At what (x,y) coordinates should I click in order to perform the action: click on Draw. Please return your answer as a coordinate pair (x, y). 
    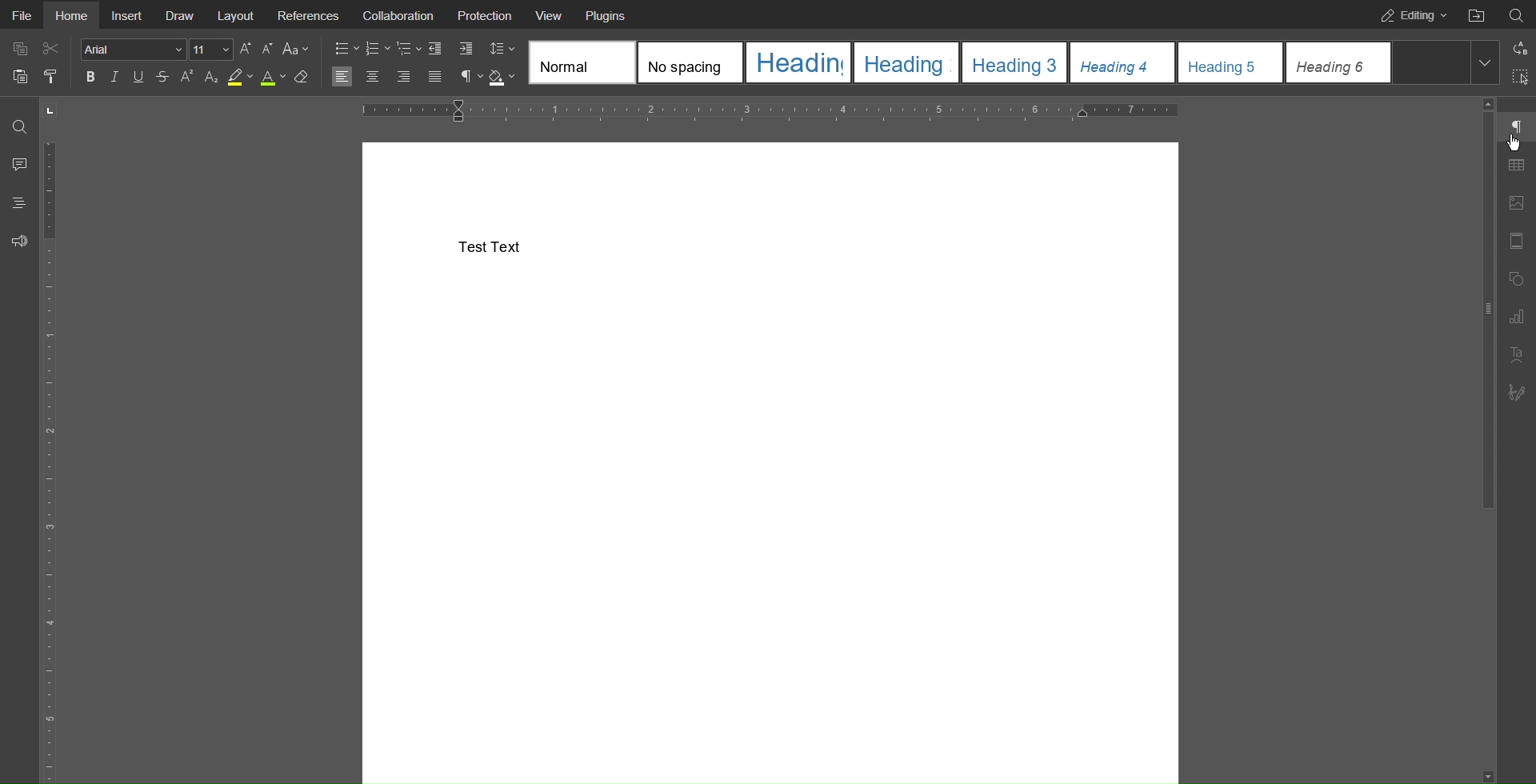
    Looking at the image, I should click on (181, 14).